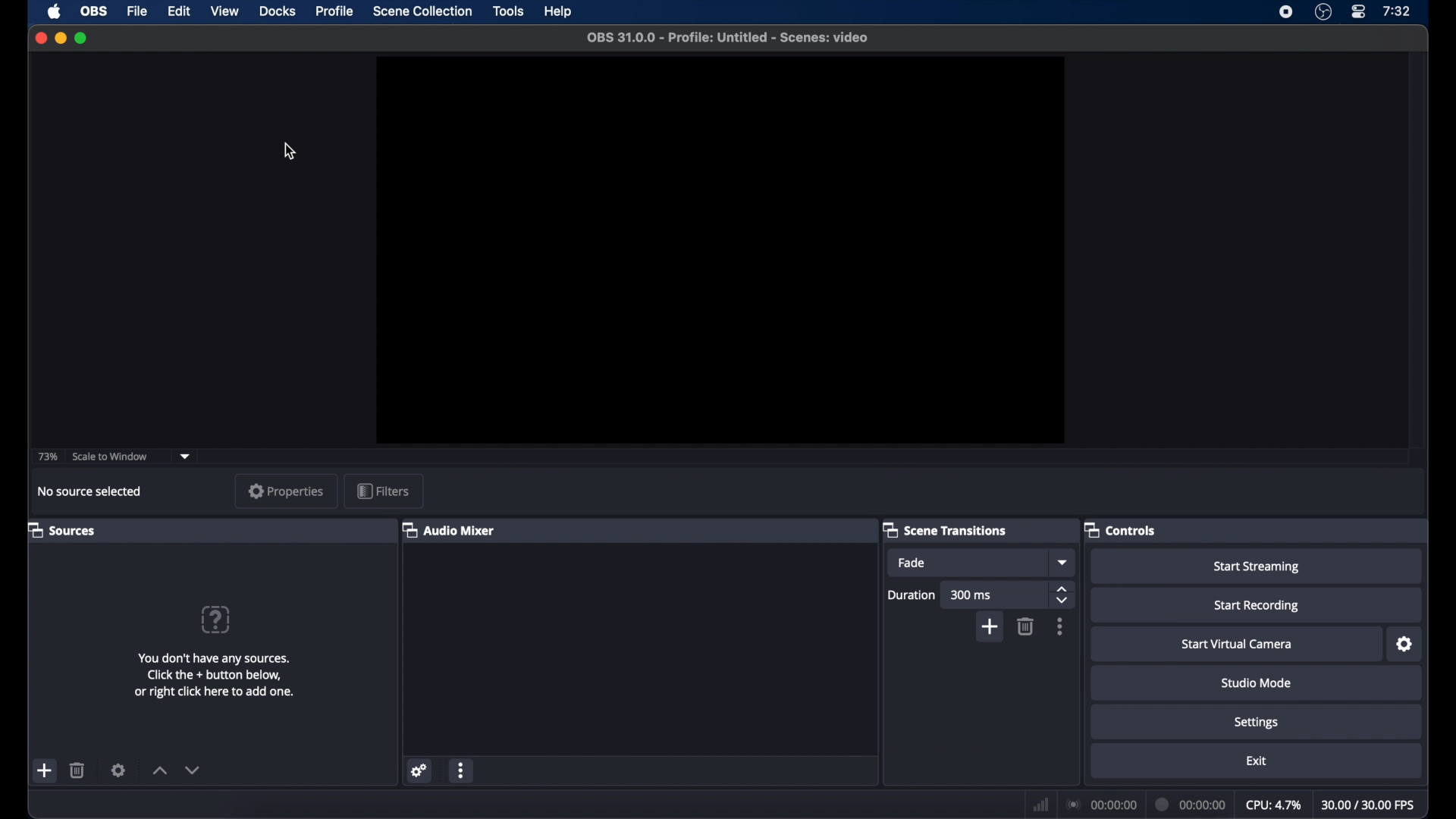  I want to click on 73%, so click(47, 457).